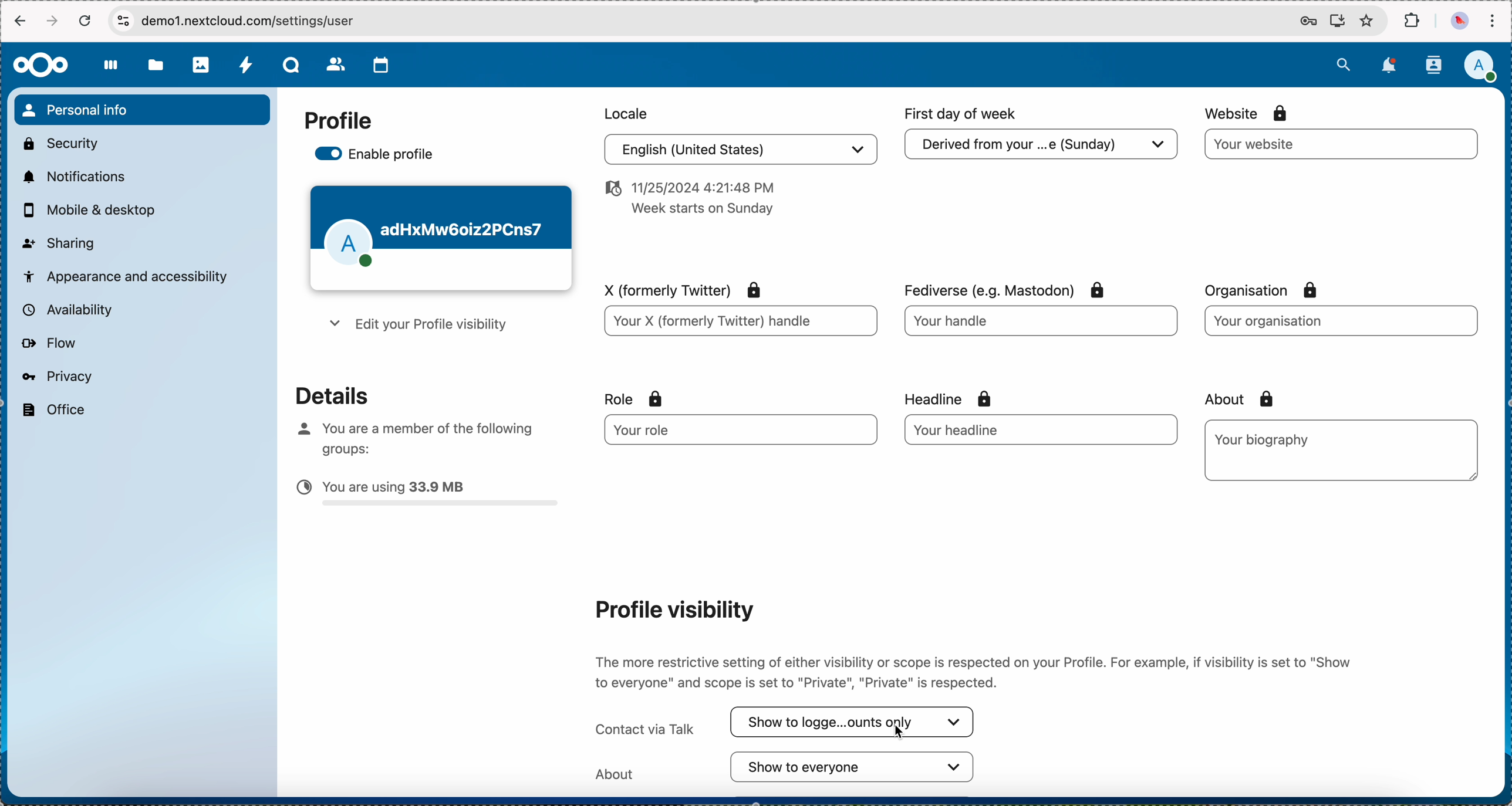 This screenshot has width=1512, height=806. What do you see at coordinates (56, 376) in the screenshot?
I see `privacy` at bounding box center [56, 376].